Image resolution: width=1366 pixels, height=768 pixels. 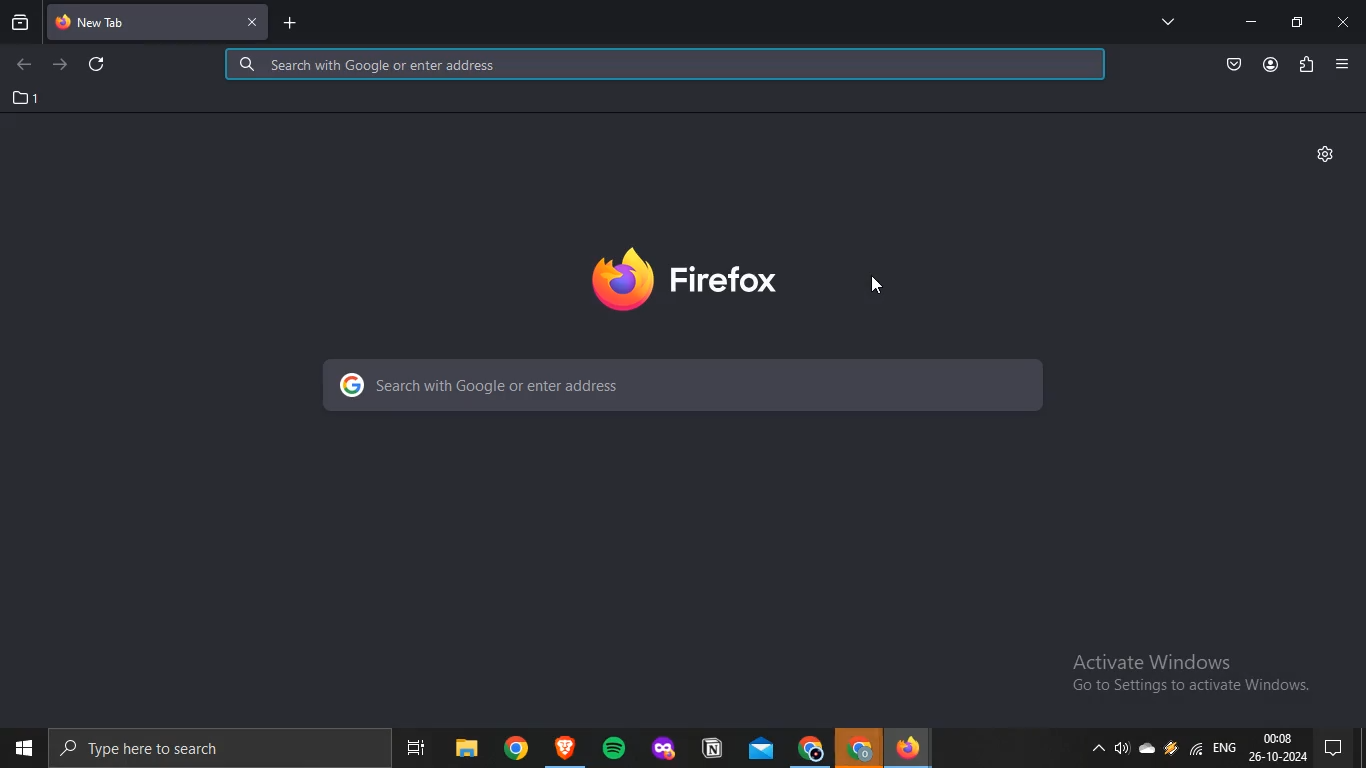 I want to click on refresh, so click(x=98, y=63).